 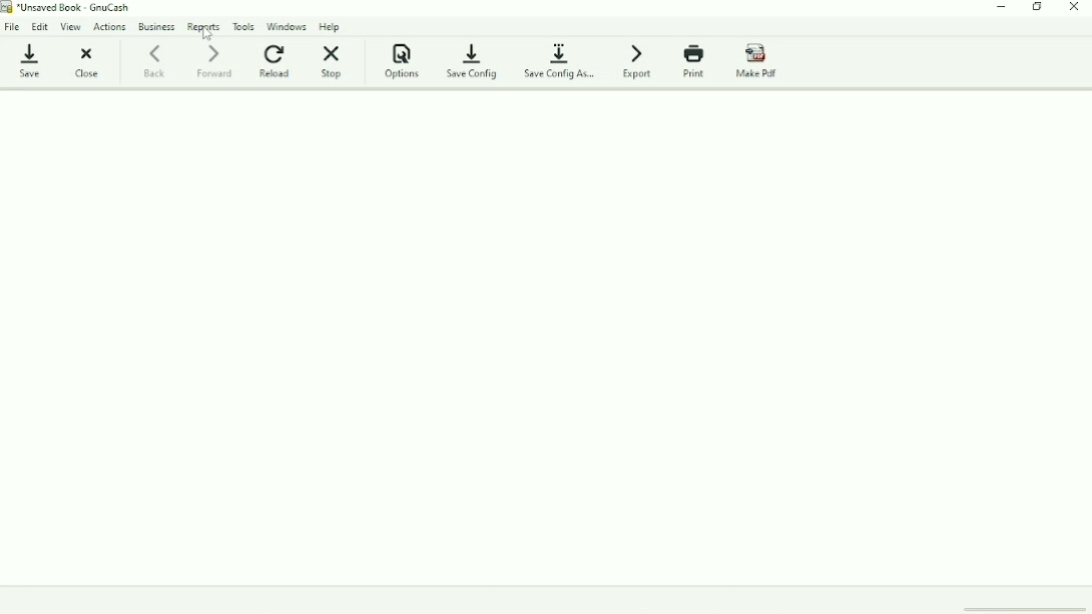 I want to click on Tools, so click(x=245, y=25).